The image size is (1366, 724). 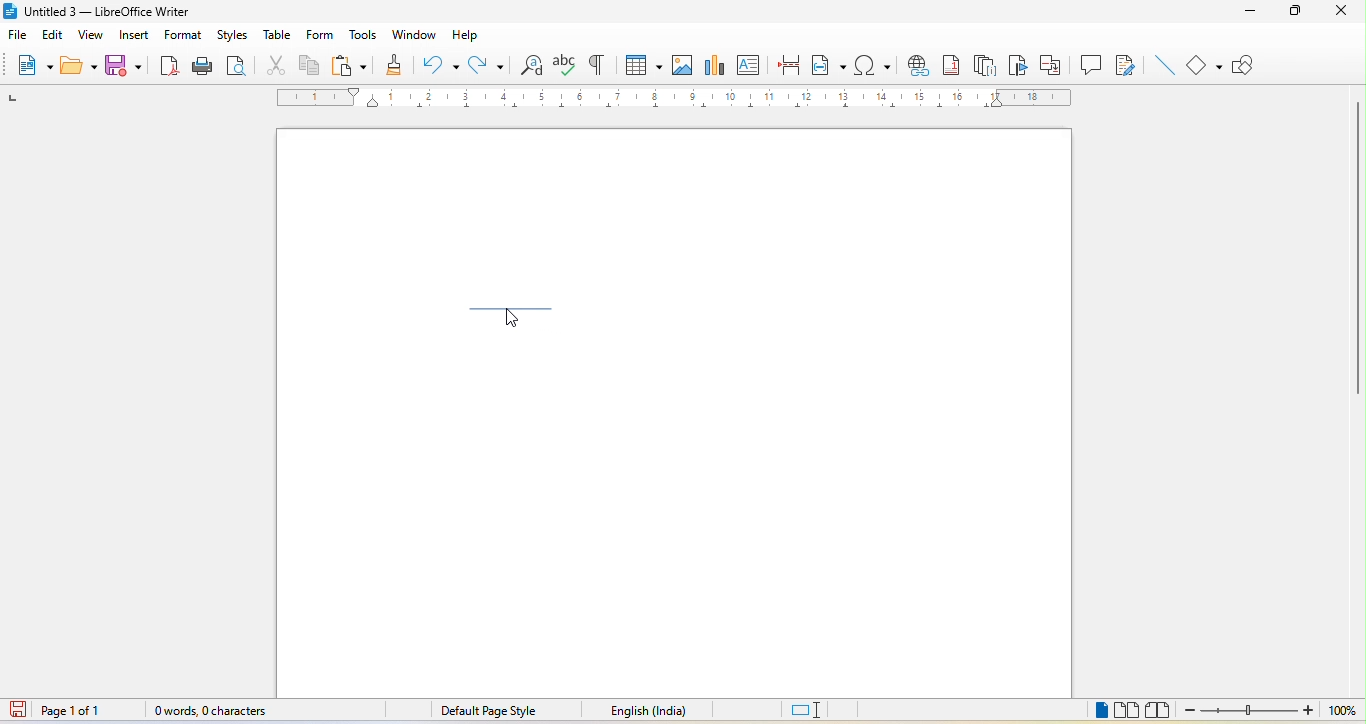 I want to click on find and replace, so click(x=532, y=65).